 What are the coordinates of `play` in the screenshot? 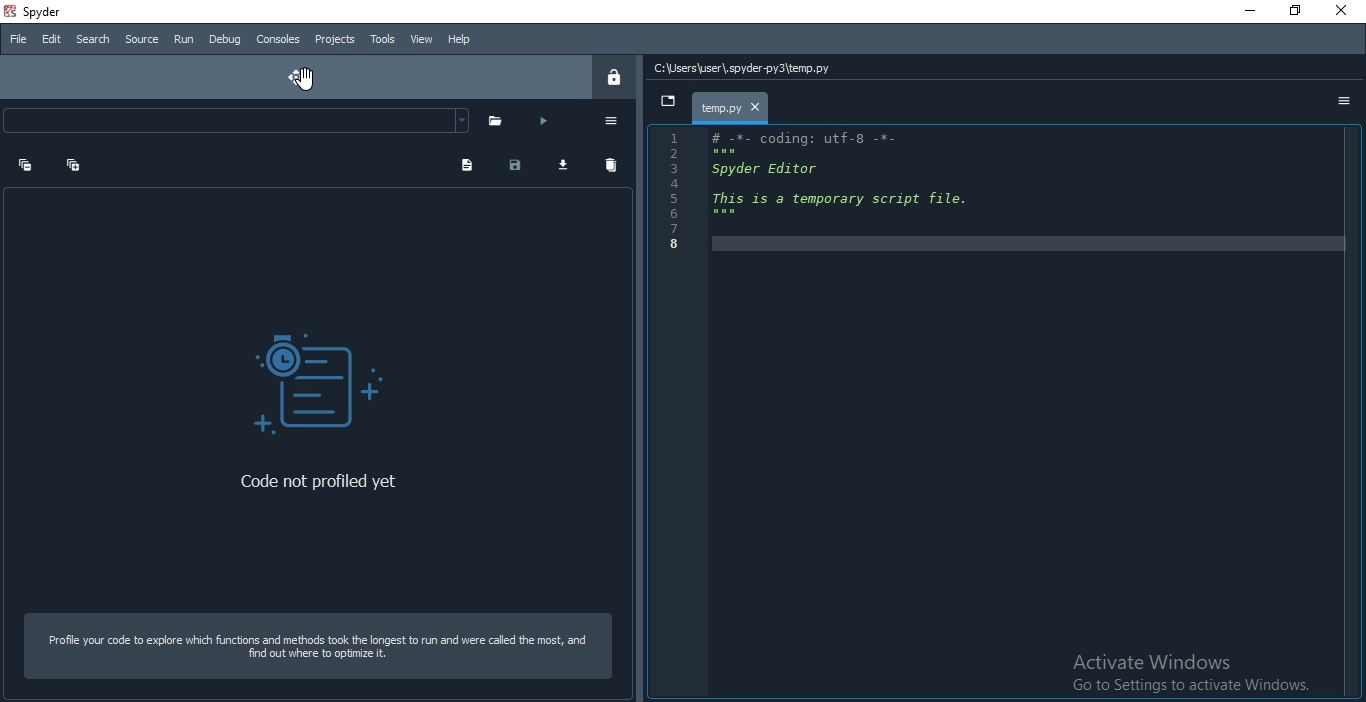 It's located at (548, 121).